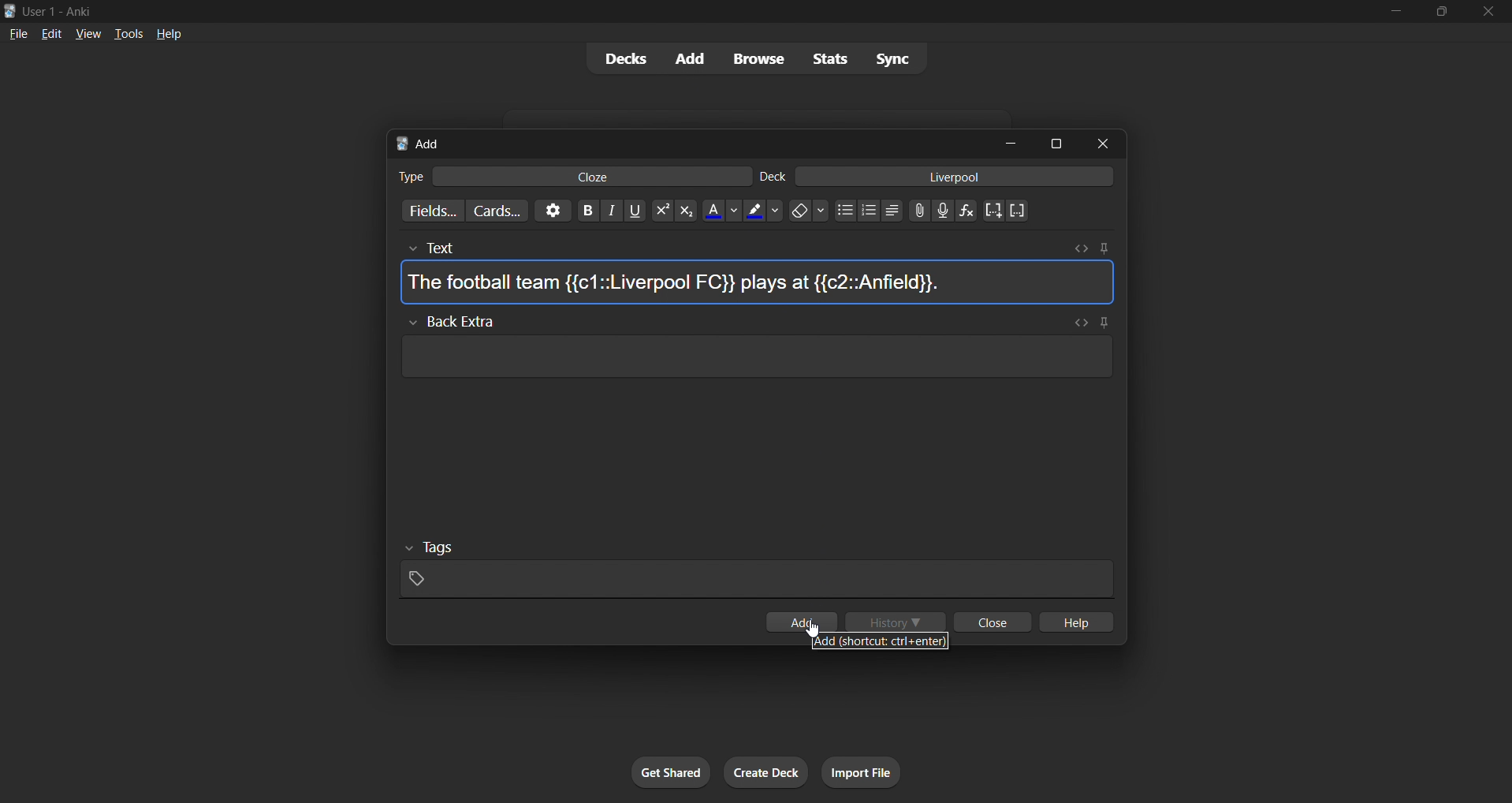 The width and height of the screenshot is (1512, 803). What do you see at coordinates (467, 245) in the screenshot?
I see `Text` at bounding box center [467, 245].